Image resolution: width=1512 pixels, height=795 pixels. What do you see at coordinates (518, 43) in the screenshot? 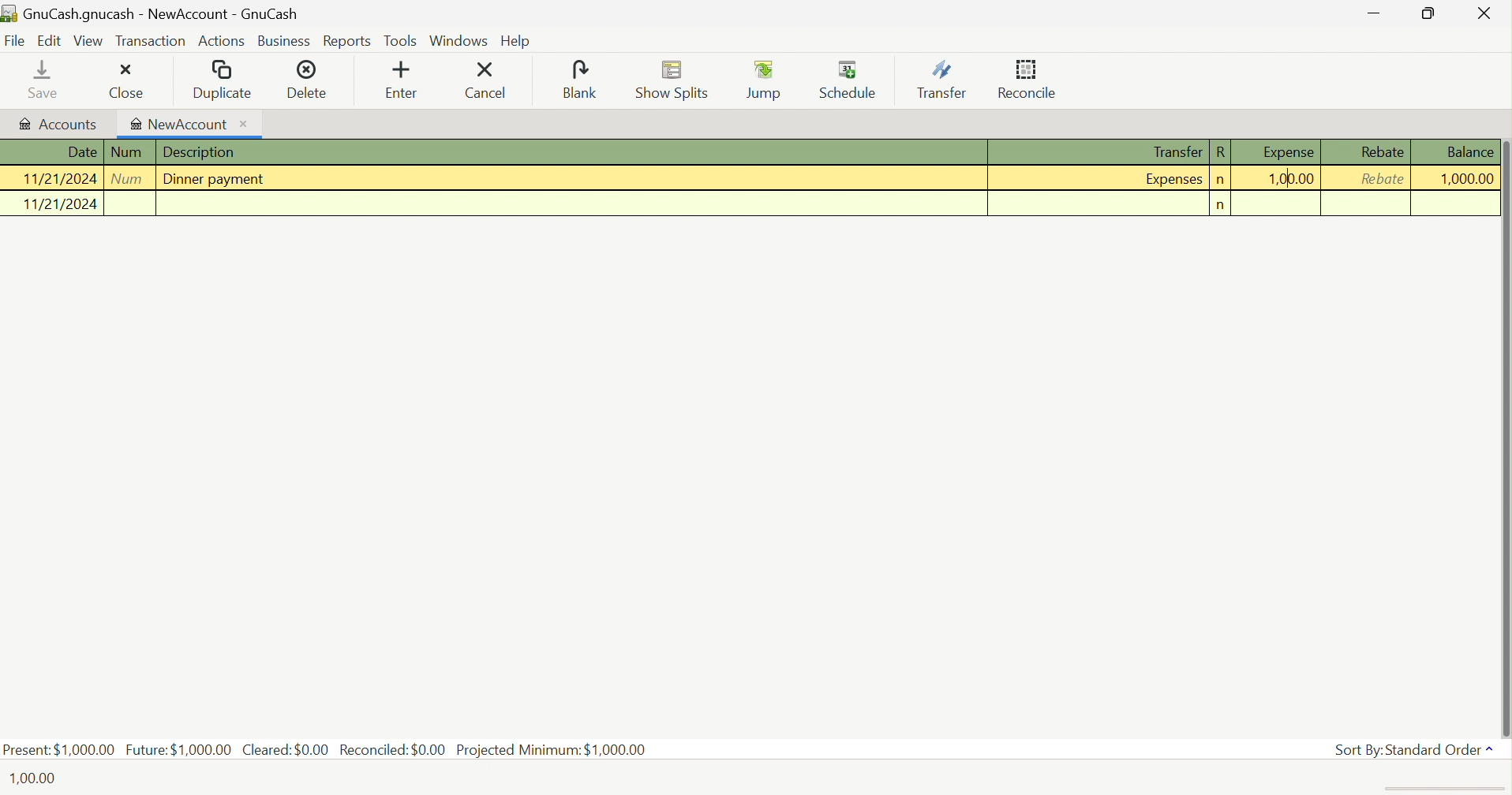
I see `Help` at bounding box center [518, 43].